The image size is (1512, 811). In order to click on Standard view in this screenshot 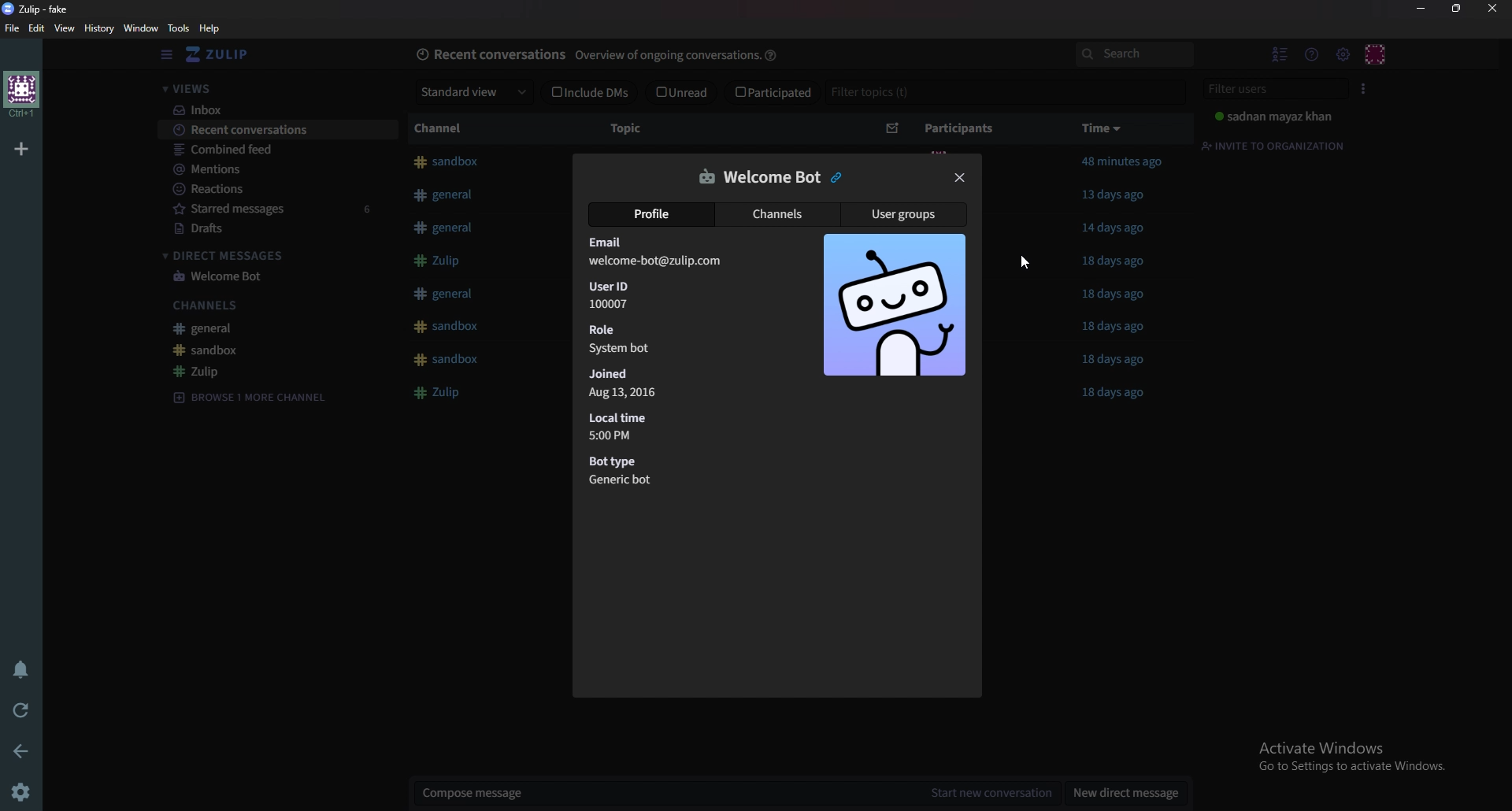, I will do `click(472, 92)`.